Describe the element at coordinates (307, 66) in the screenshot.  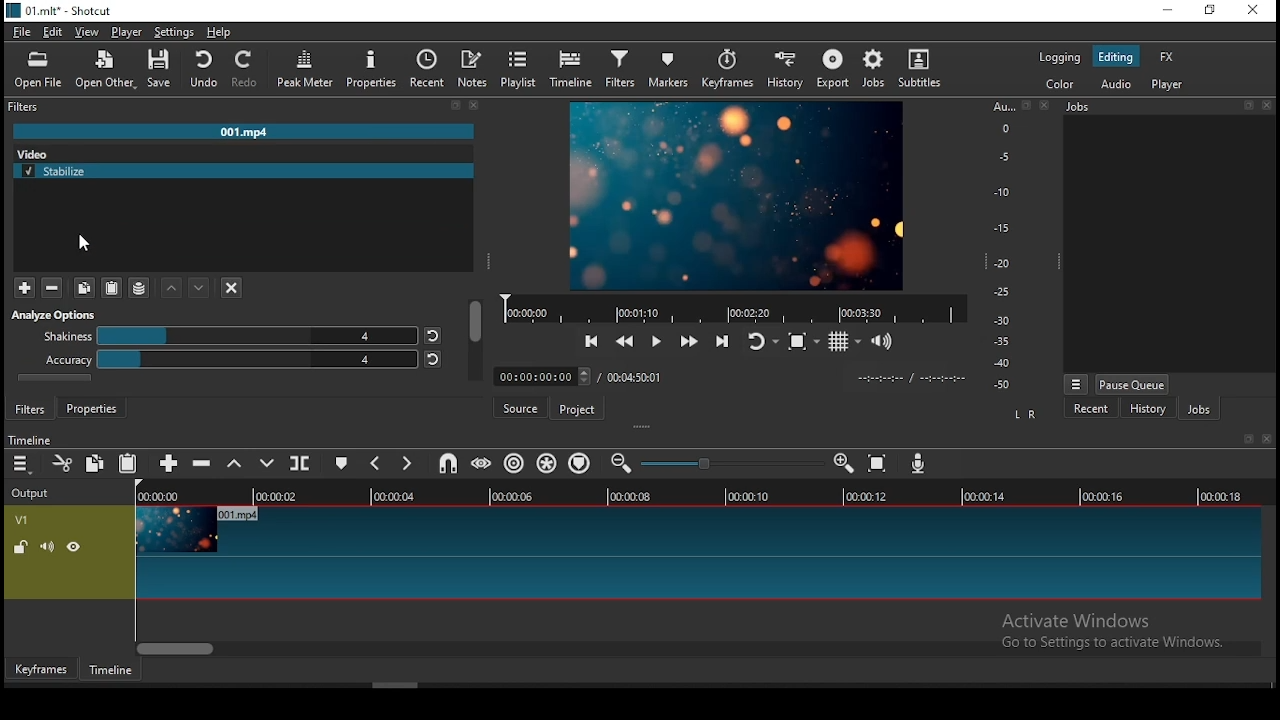
I see `Peak Meter` at that location.